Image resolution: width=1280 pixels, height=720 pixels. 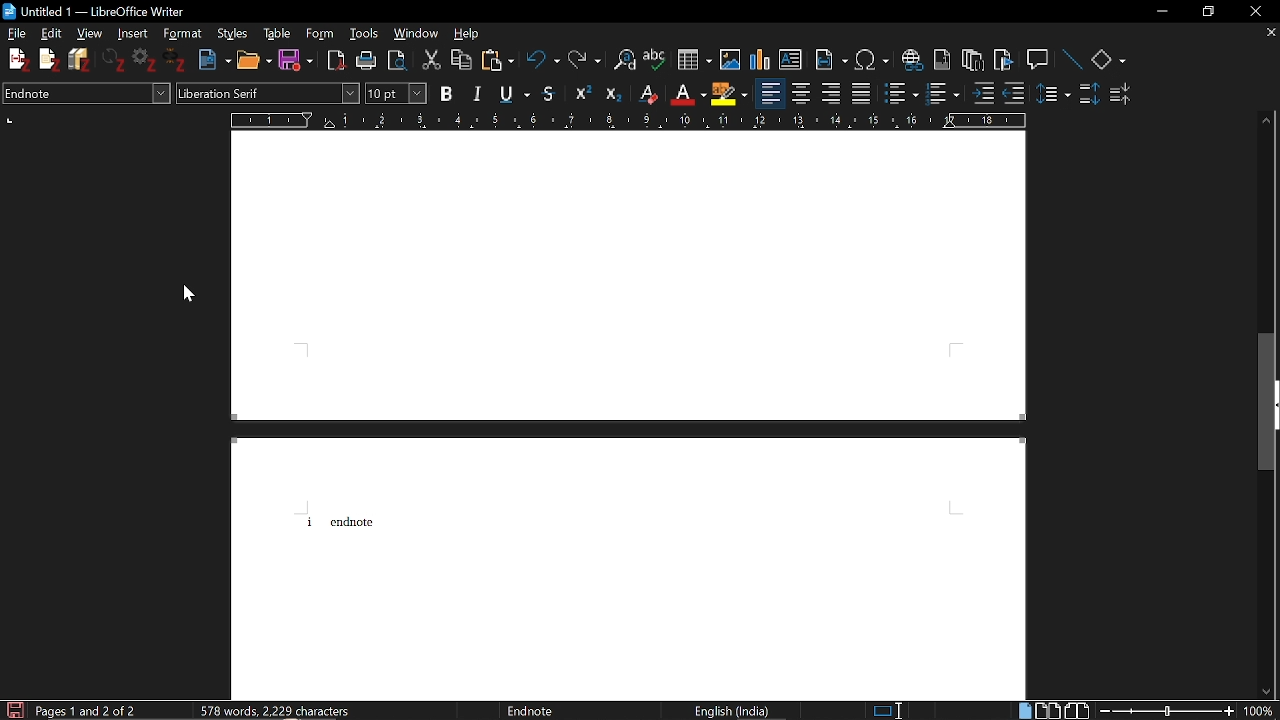 What do you see at coordinates (627, 121) in the screenshot?
I see `Scale` at bounding box center [627, 121].